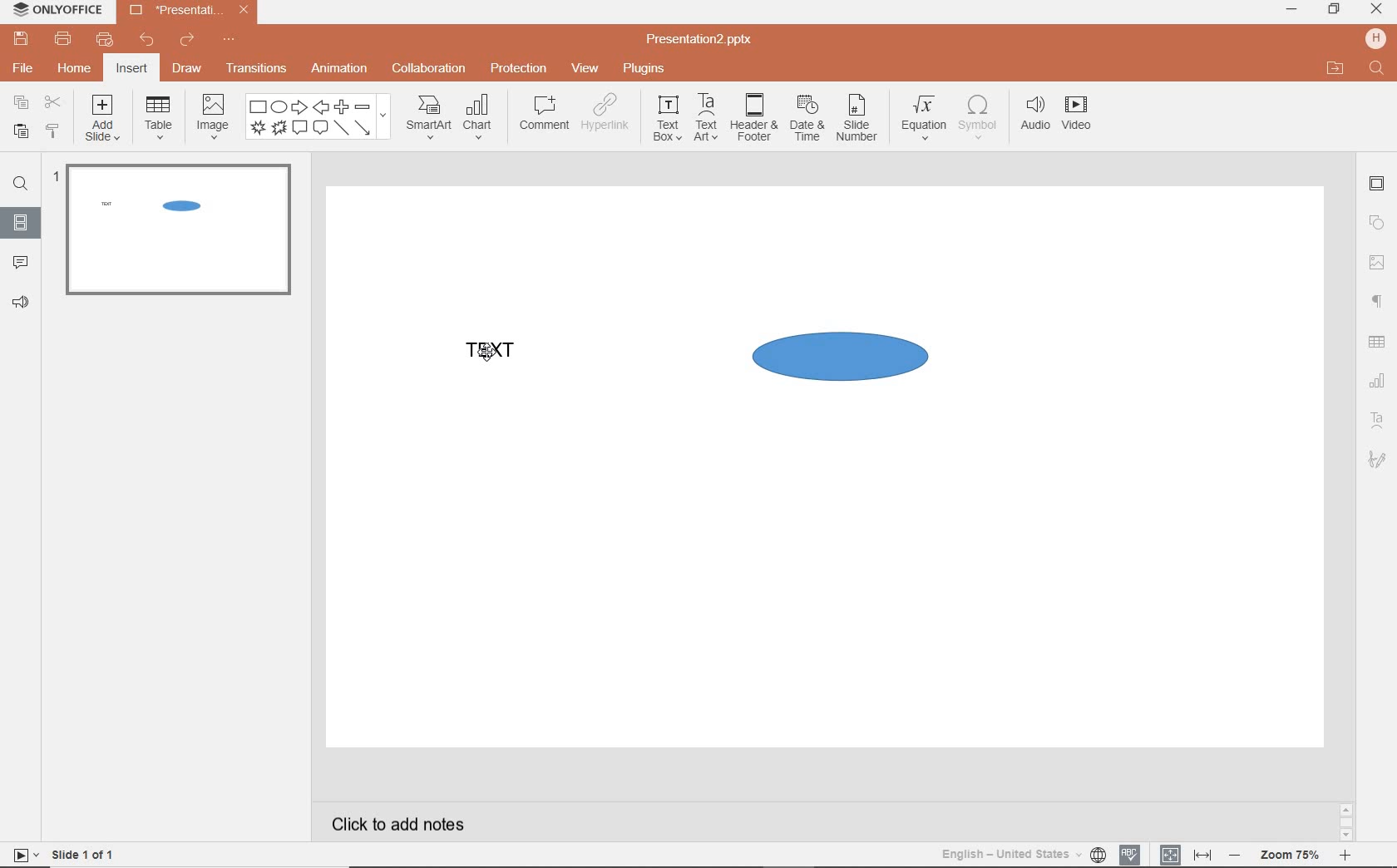 This screenshot has height=868, width=1397. Describe the element at coordinates (1375, 461) in the screenshot. I see `TEXT ART` at that location.